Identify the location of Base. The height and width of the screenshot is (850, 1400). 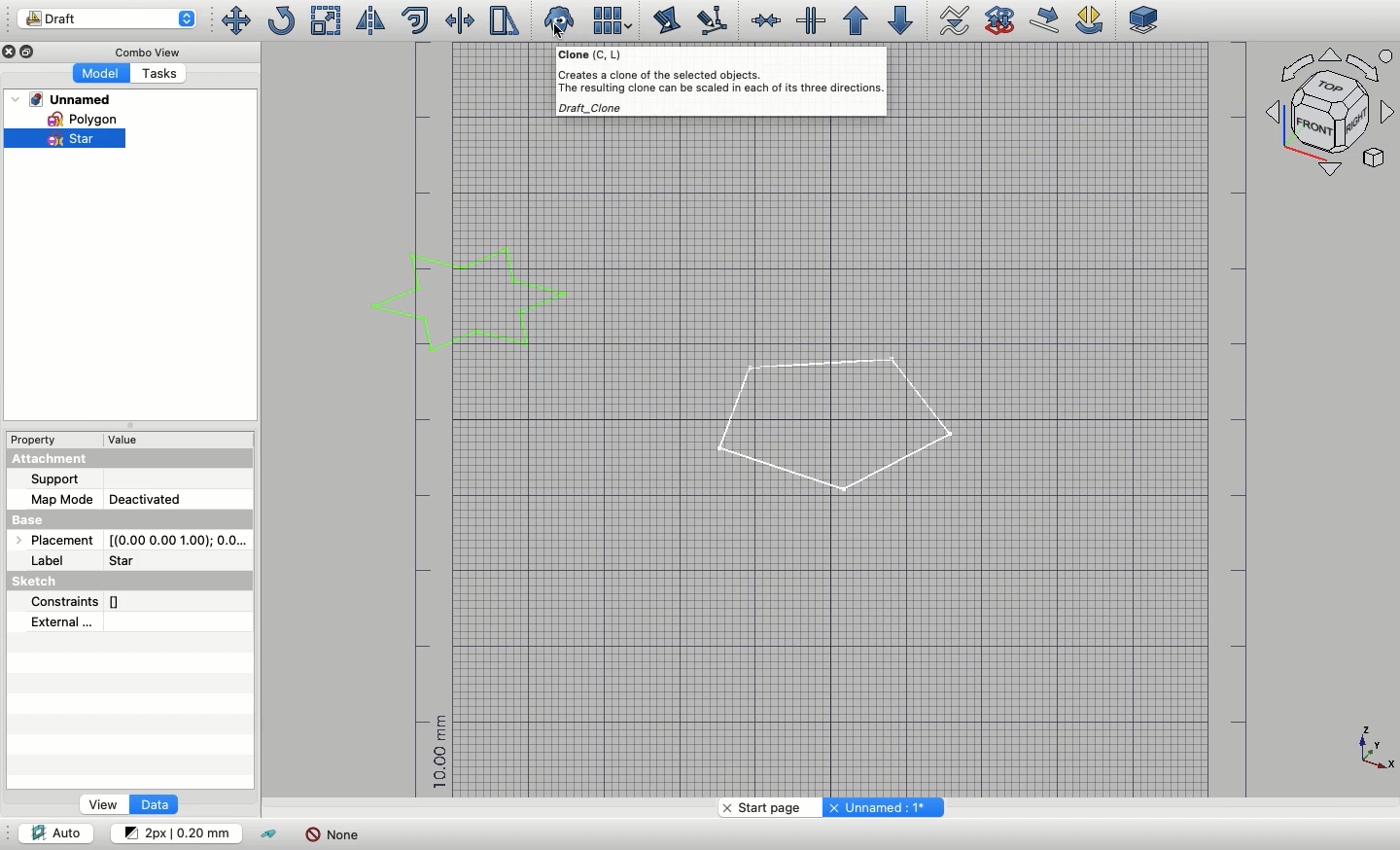
(129, 519).